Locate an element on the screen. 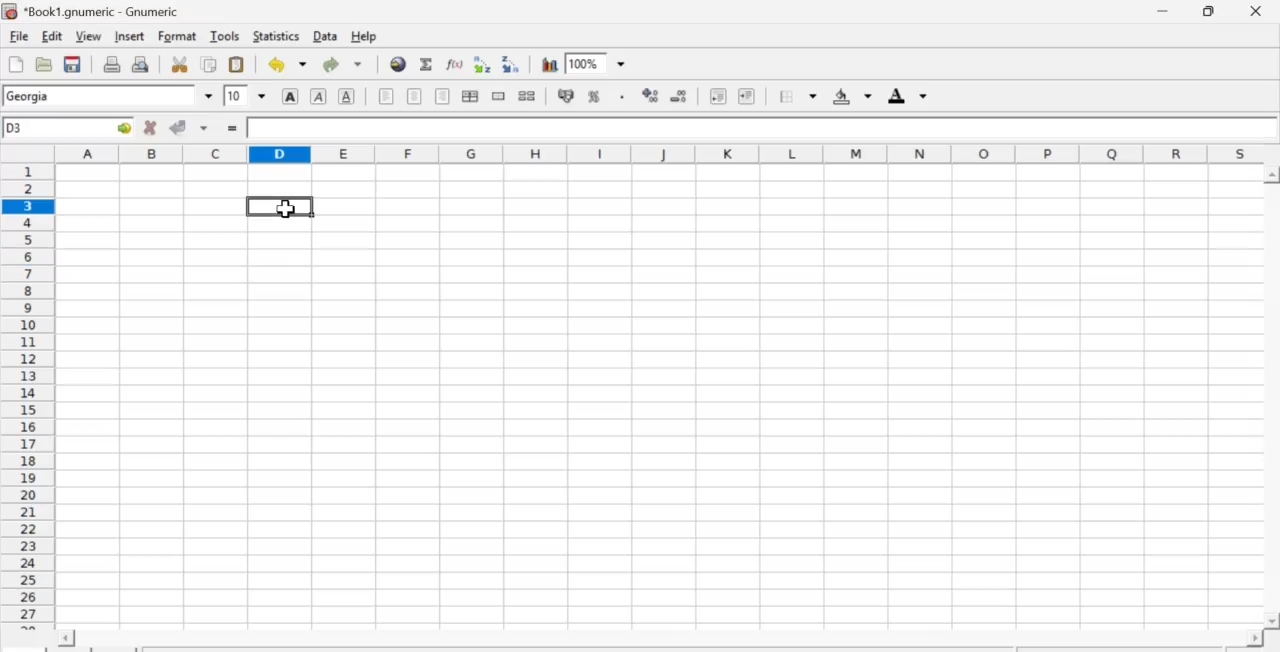  Statistics is located at coordinates (278, 36).